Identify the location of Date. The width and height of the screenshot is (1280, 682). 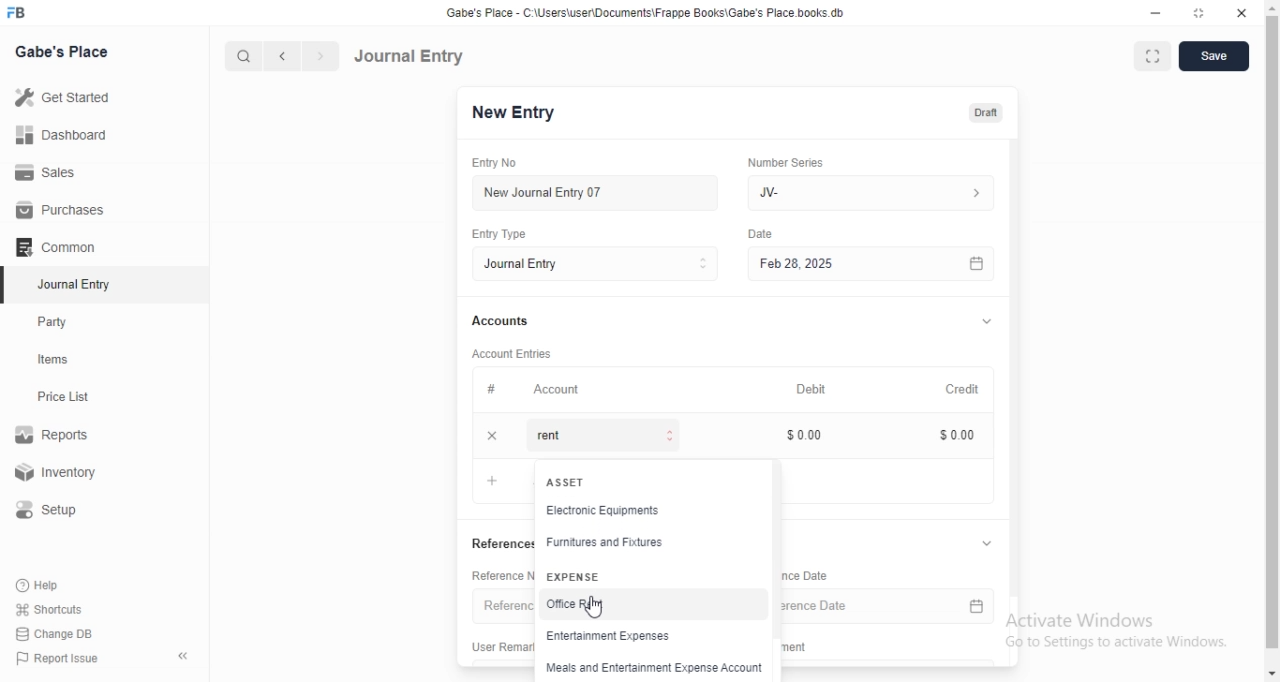
(765, 233).